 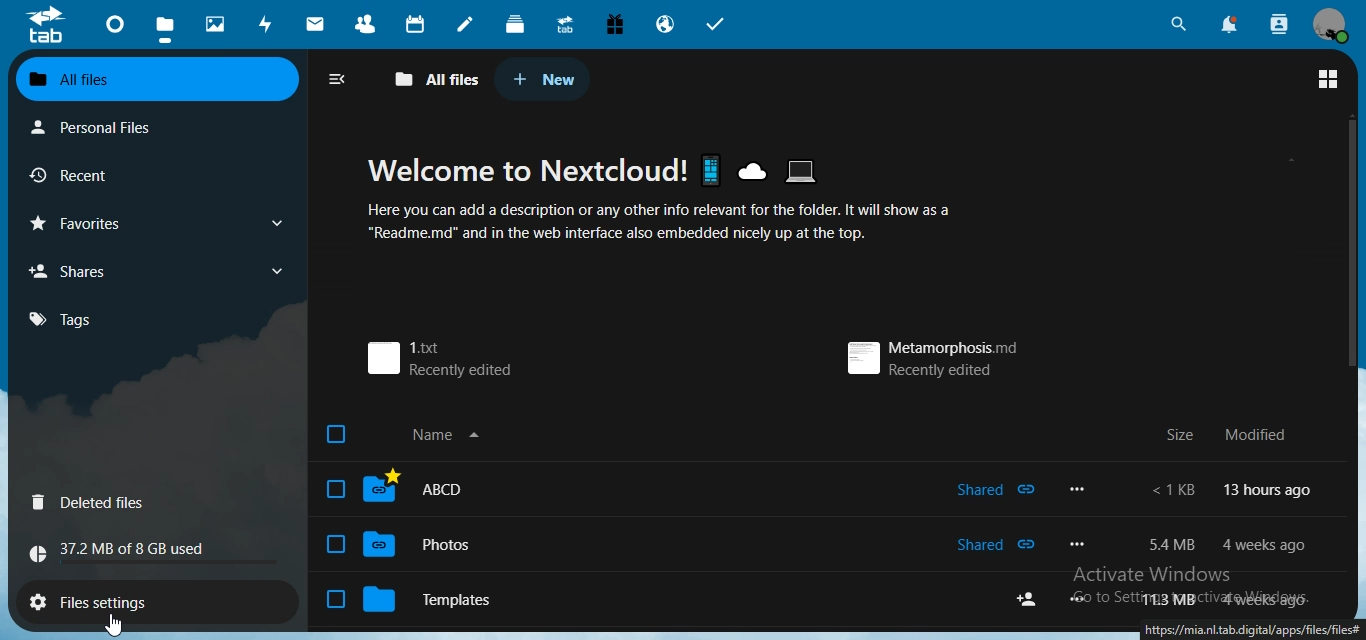 What do you see at coordinates (567, 24) in the screenshot?
I see `upgrade` at bounding box center [567, 24].